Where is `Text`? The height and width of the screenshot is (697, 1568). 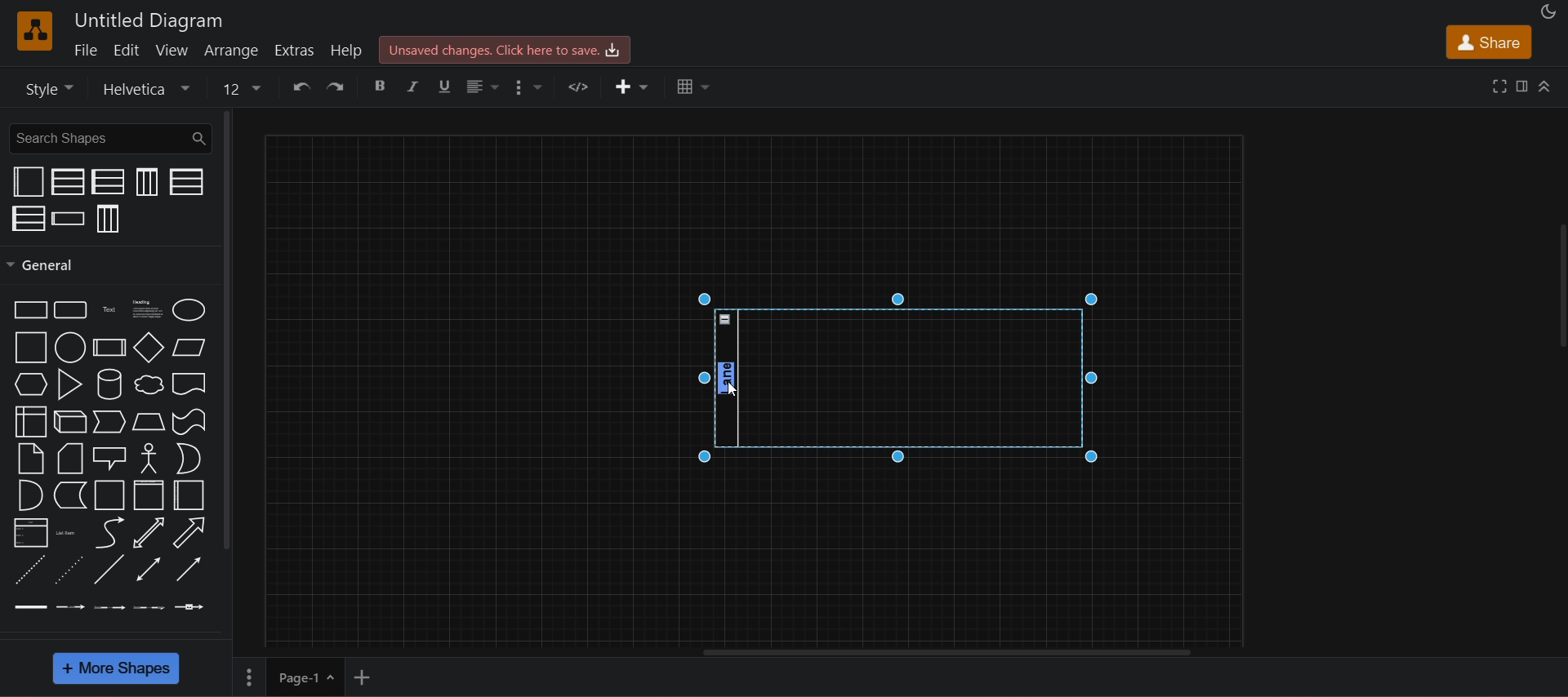
Text is located at coordinates (108, 309).